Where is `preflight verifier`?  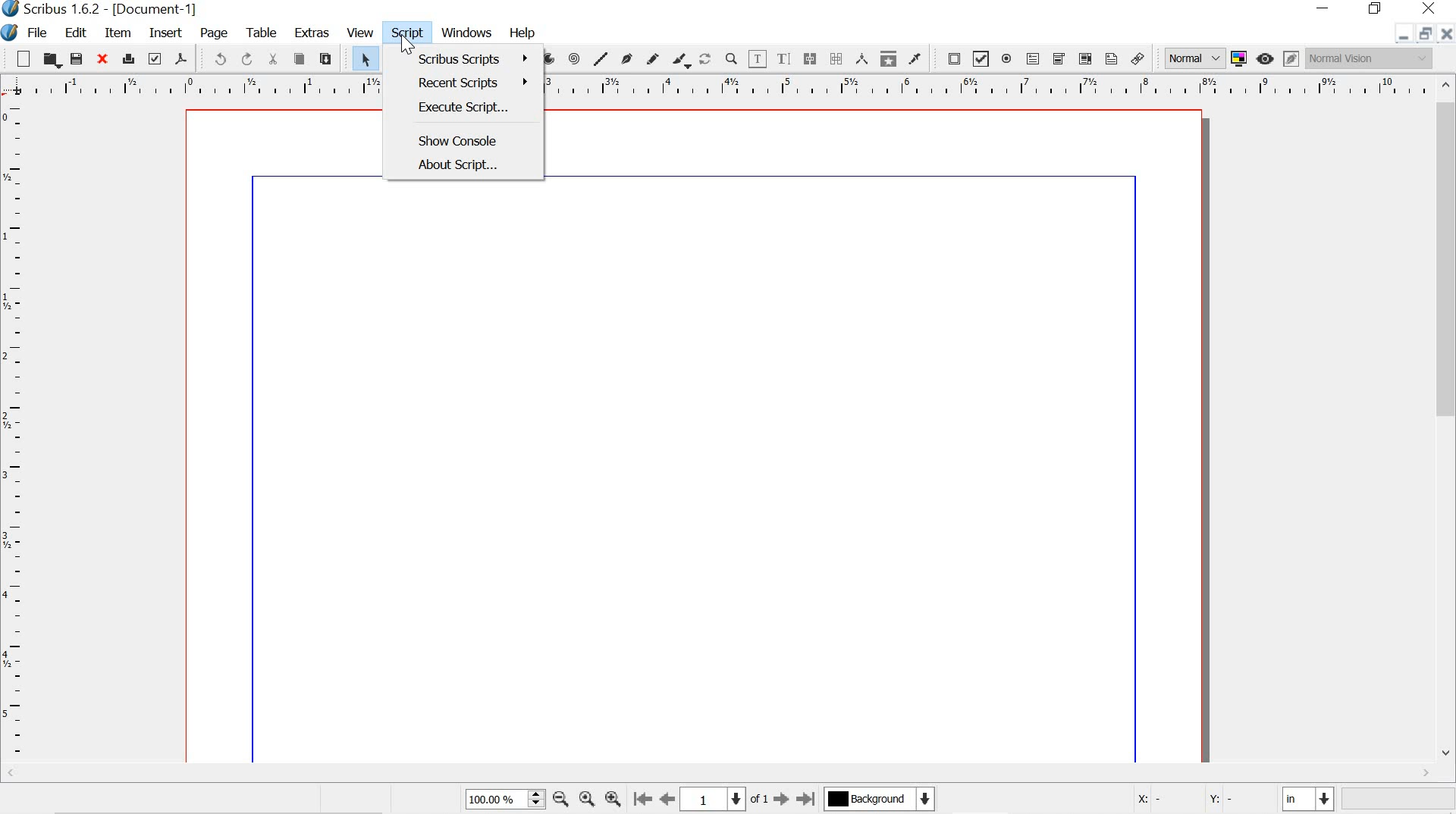
preflight verifier is located at coordinates (155, 58).